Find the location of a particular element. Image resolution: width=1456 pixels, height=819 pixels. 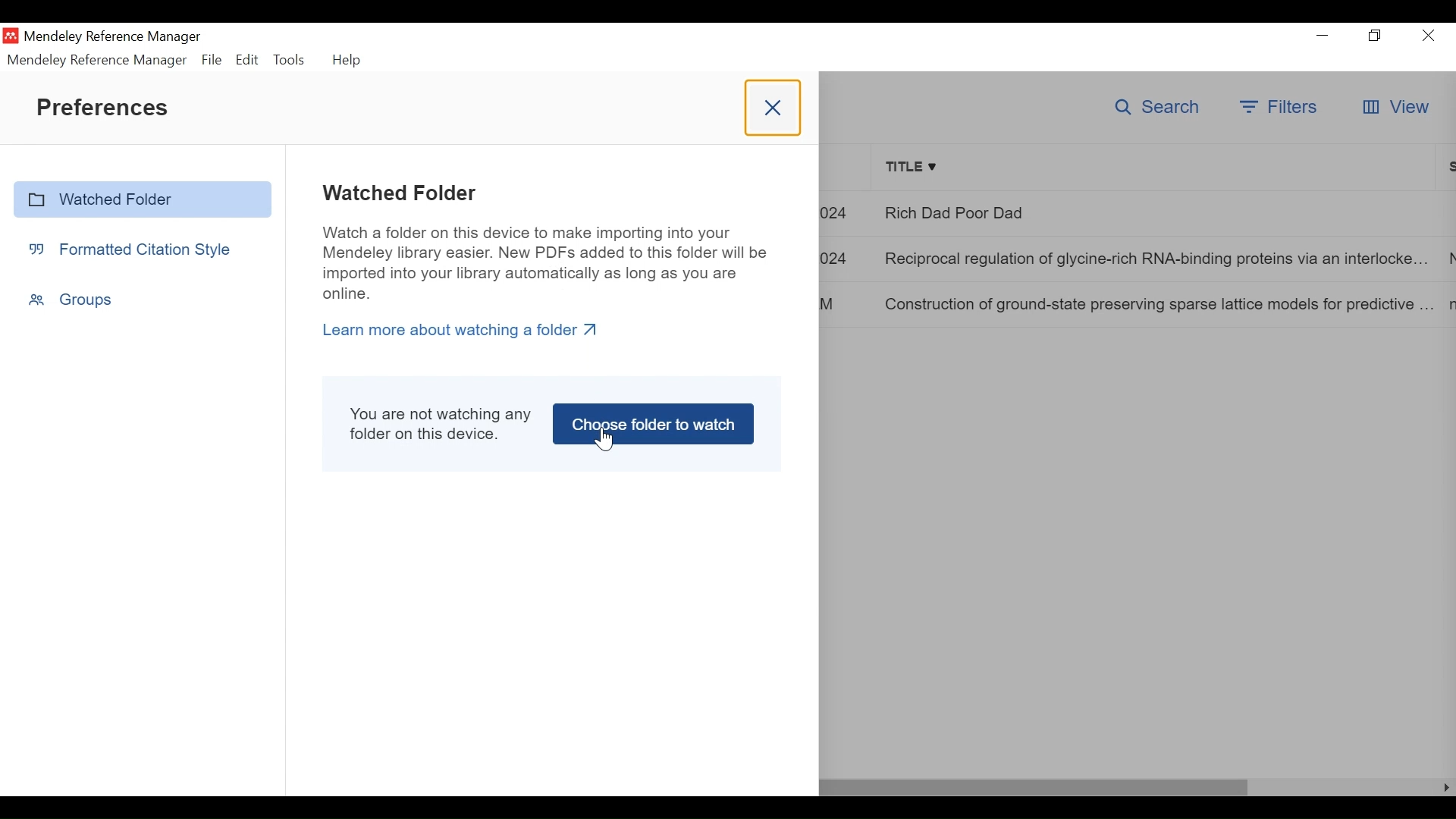

Cursor on Choose folder to watch is located at coordinates (607, 441).